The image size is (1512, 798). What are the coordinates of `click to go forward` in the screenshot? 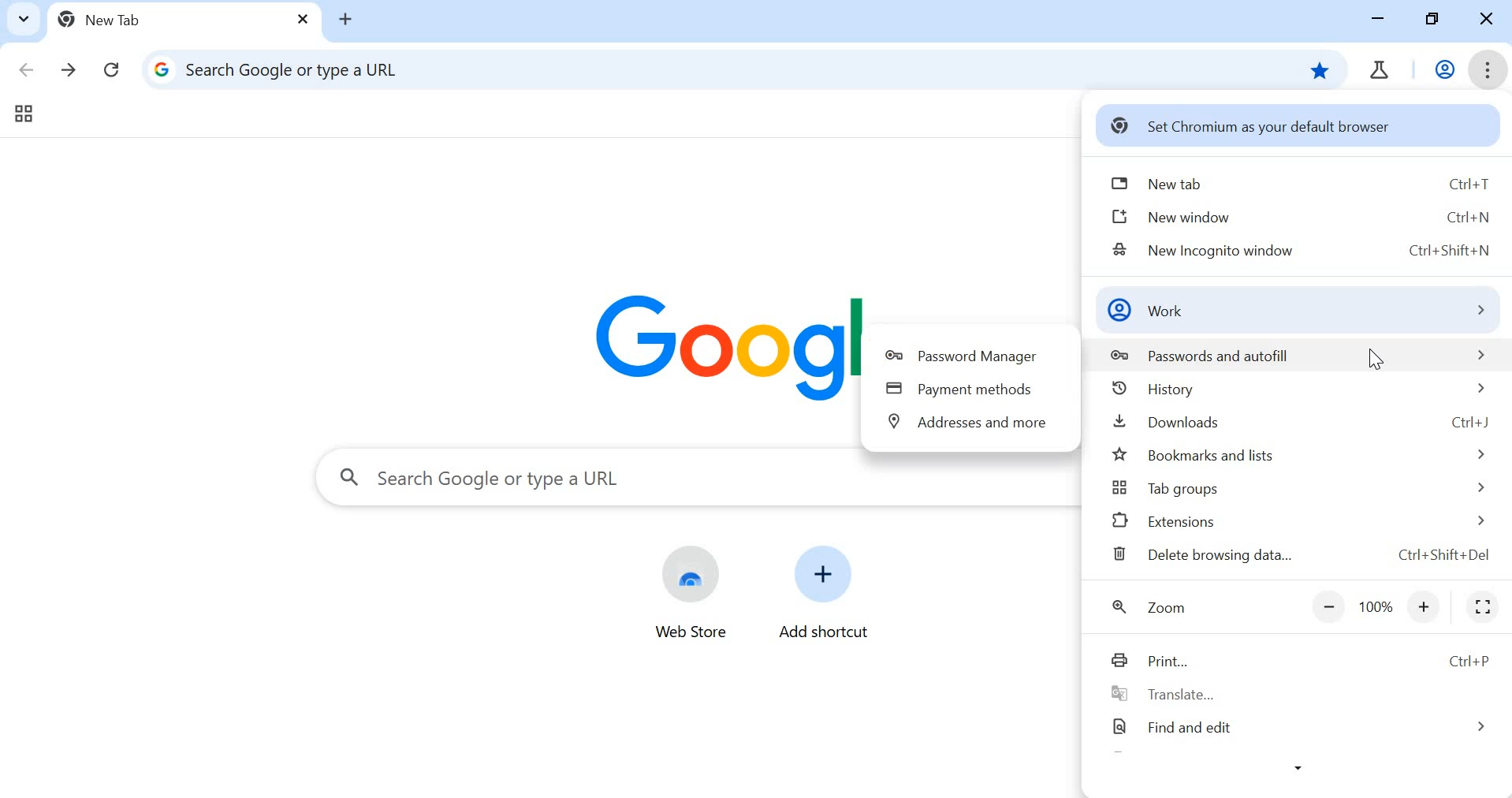 It's located at (70, 72).